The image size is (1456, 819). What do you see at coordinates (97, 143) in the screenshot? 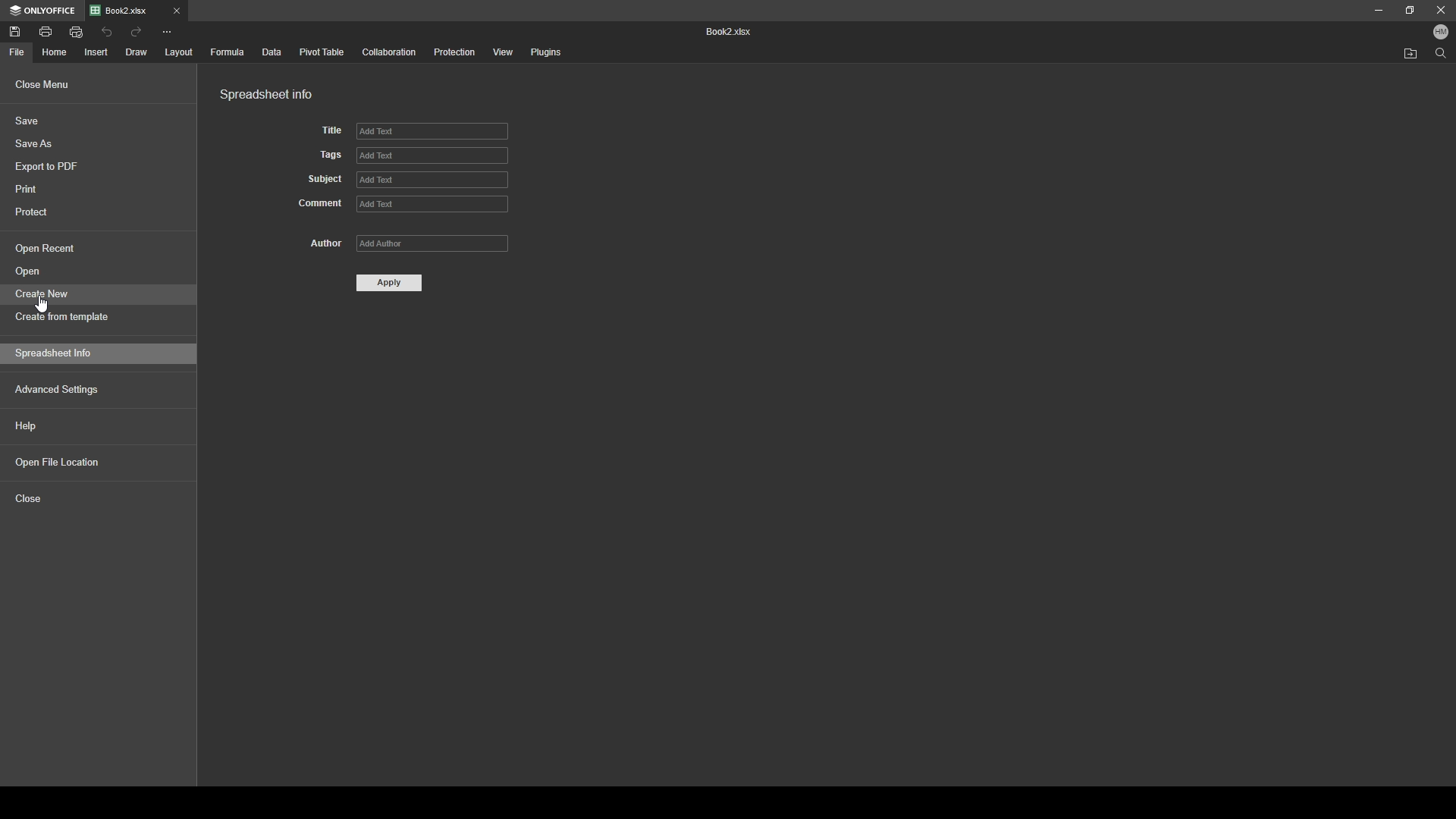
I see `save as` at bounding box center [97, 143].